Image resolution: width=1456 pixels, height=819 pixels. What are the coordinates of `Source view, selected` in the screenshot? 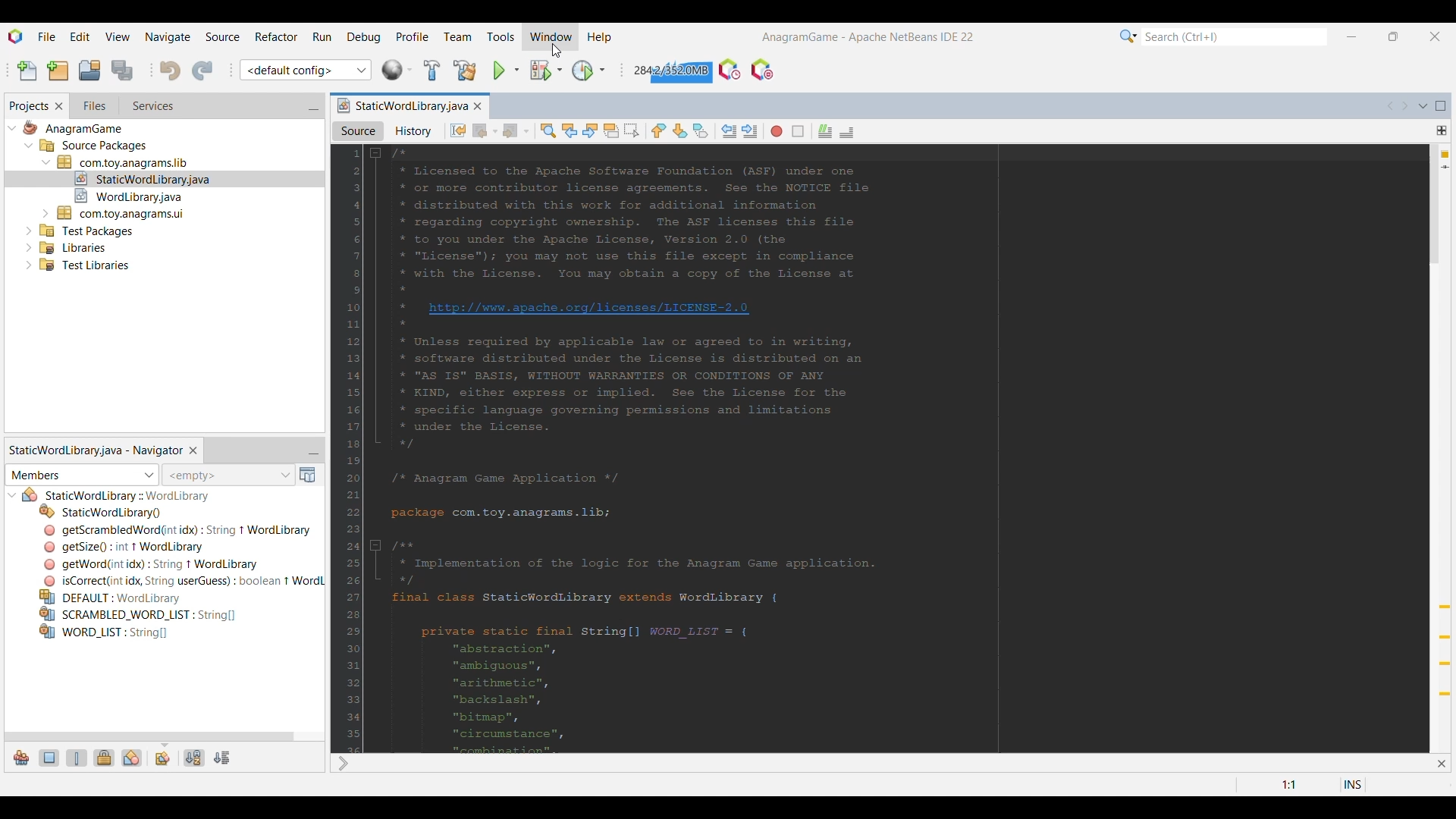 It's located at (359, 131).